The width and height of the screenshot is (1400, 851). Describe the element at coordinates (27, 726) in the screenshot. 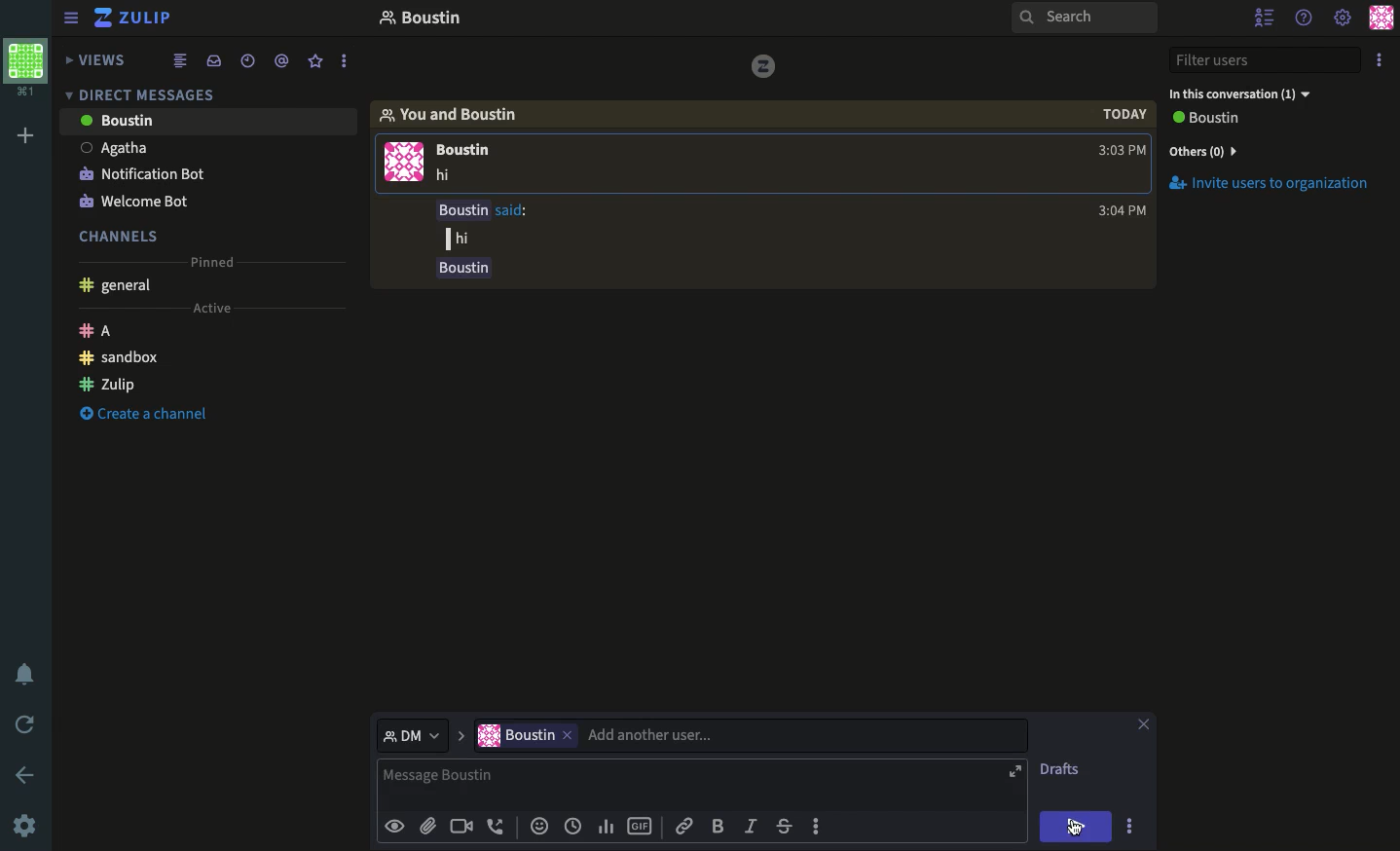

I see `Refresh` at that location.